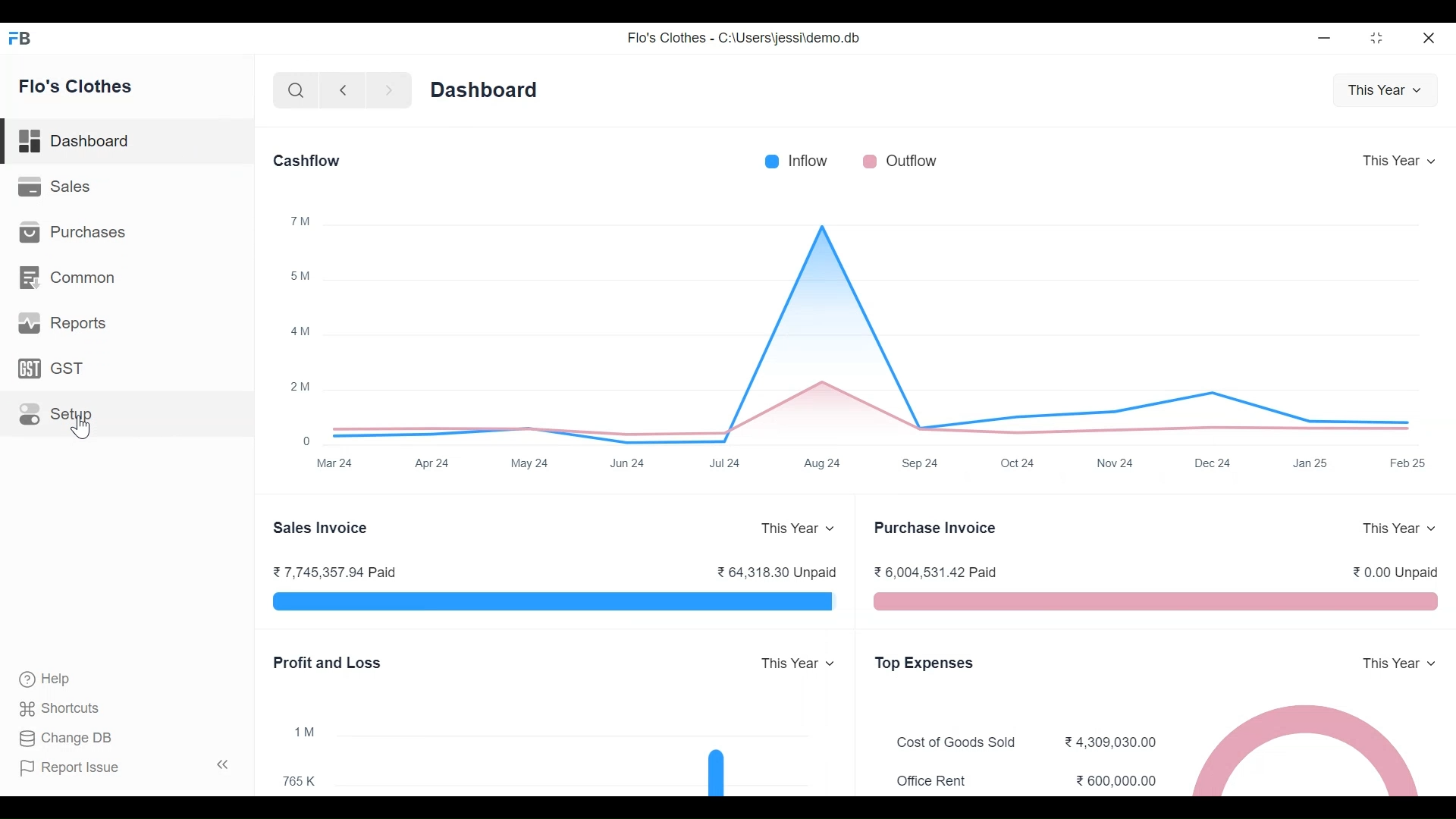 The image size is (1456, 819). What do you see at coordinates (431, 463) in the screenshot?
I see `apr 24` at bounding box center [431, 463].